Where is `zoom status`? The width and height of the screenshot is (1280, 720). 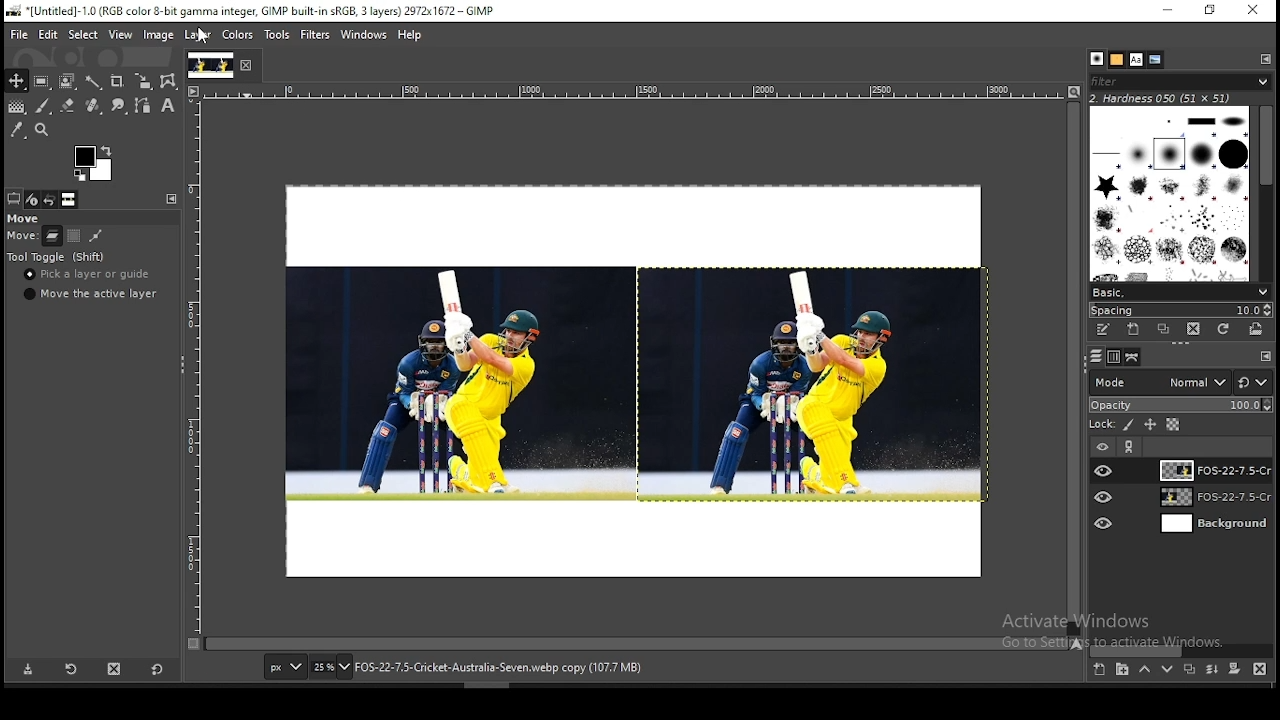 zoom status is located at coordinates (331, 669).